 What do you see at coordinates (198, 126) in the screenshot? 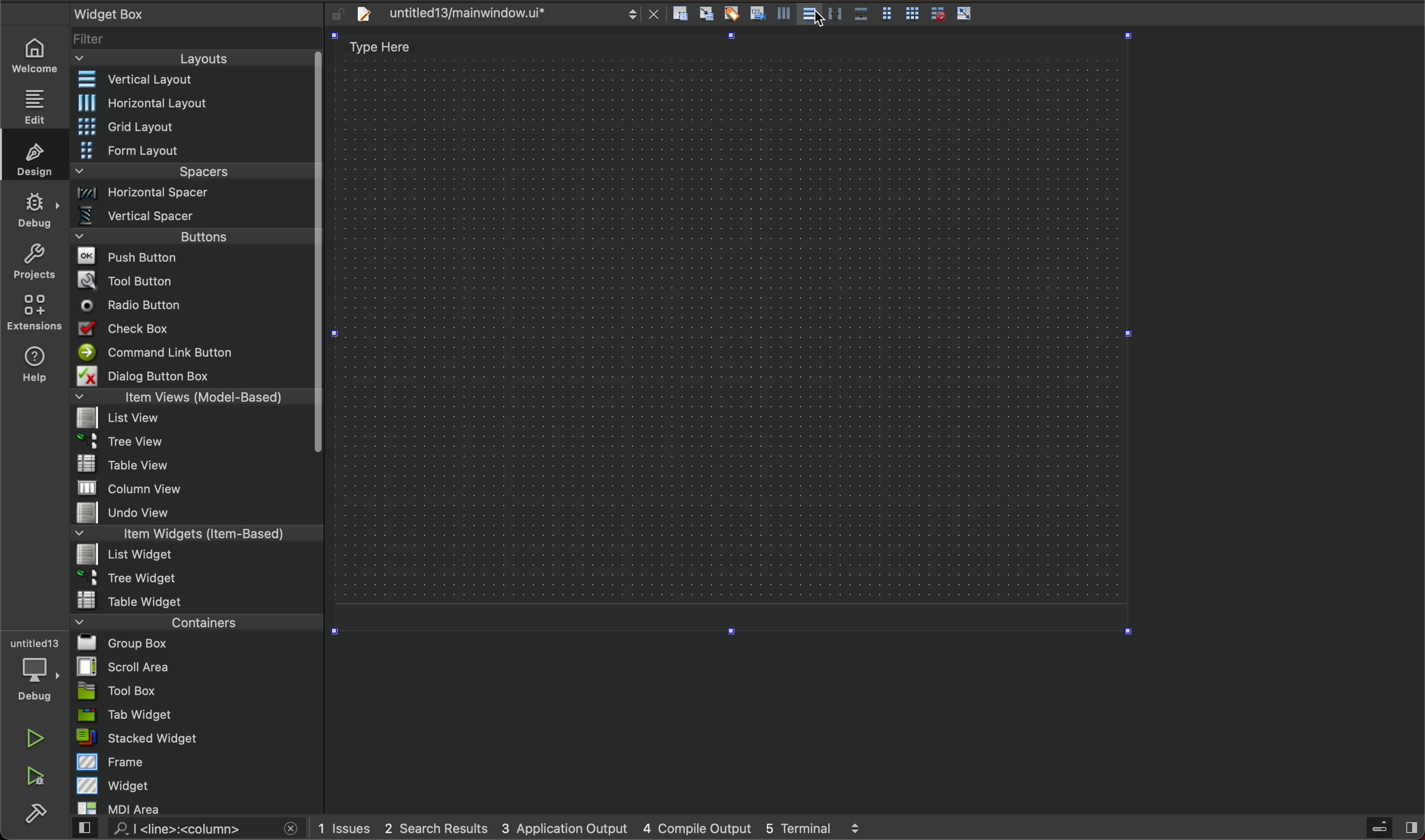
I see `grid layout` at bounding box center [198, 126].